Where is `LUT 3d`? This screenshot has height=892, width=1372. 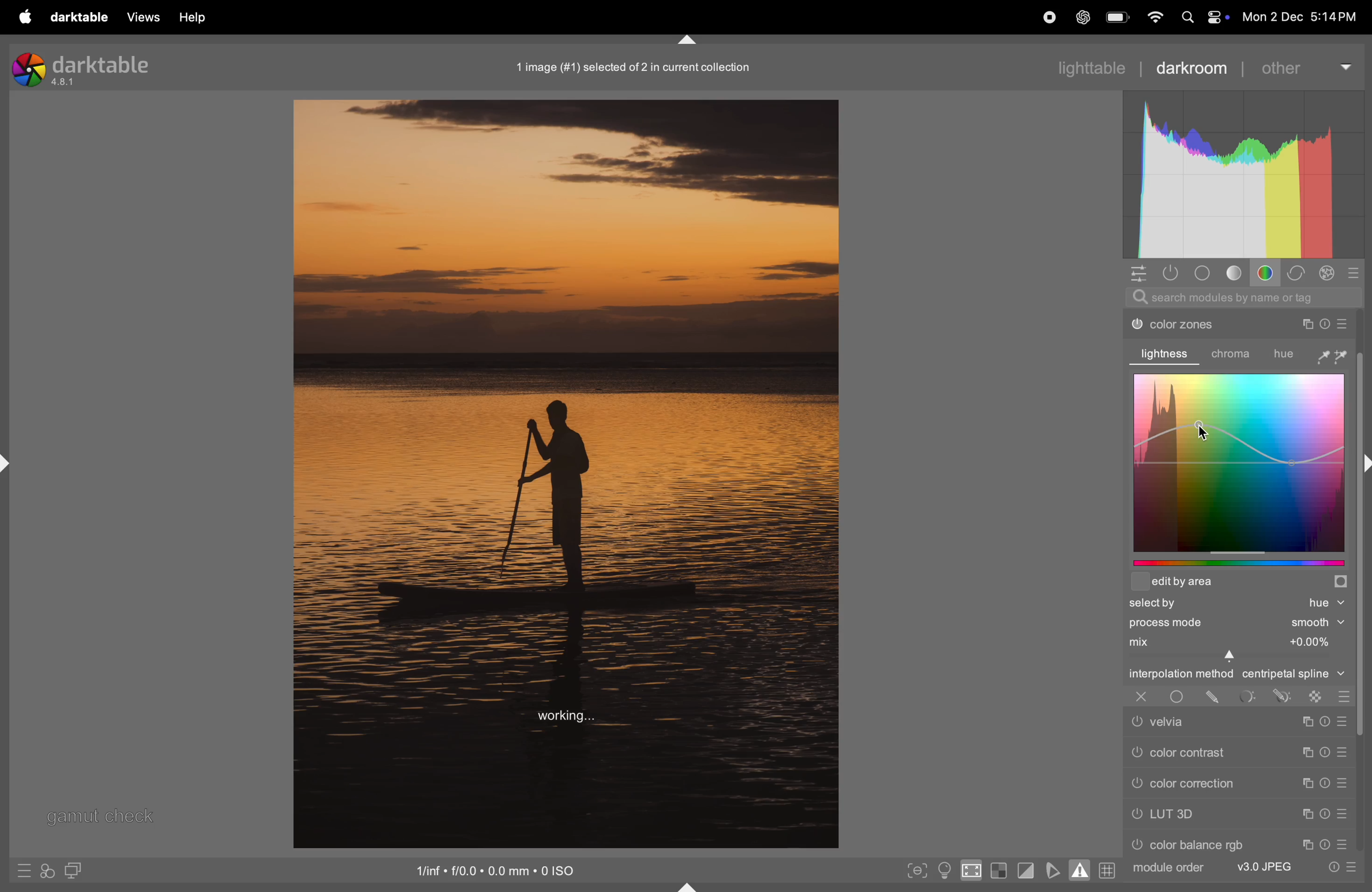 LUT 3d is located at coordinates (1204, 814).